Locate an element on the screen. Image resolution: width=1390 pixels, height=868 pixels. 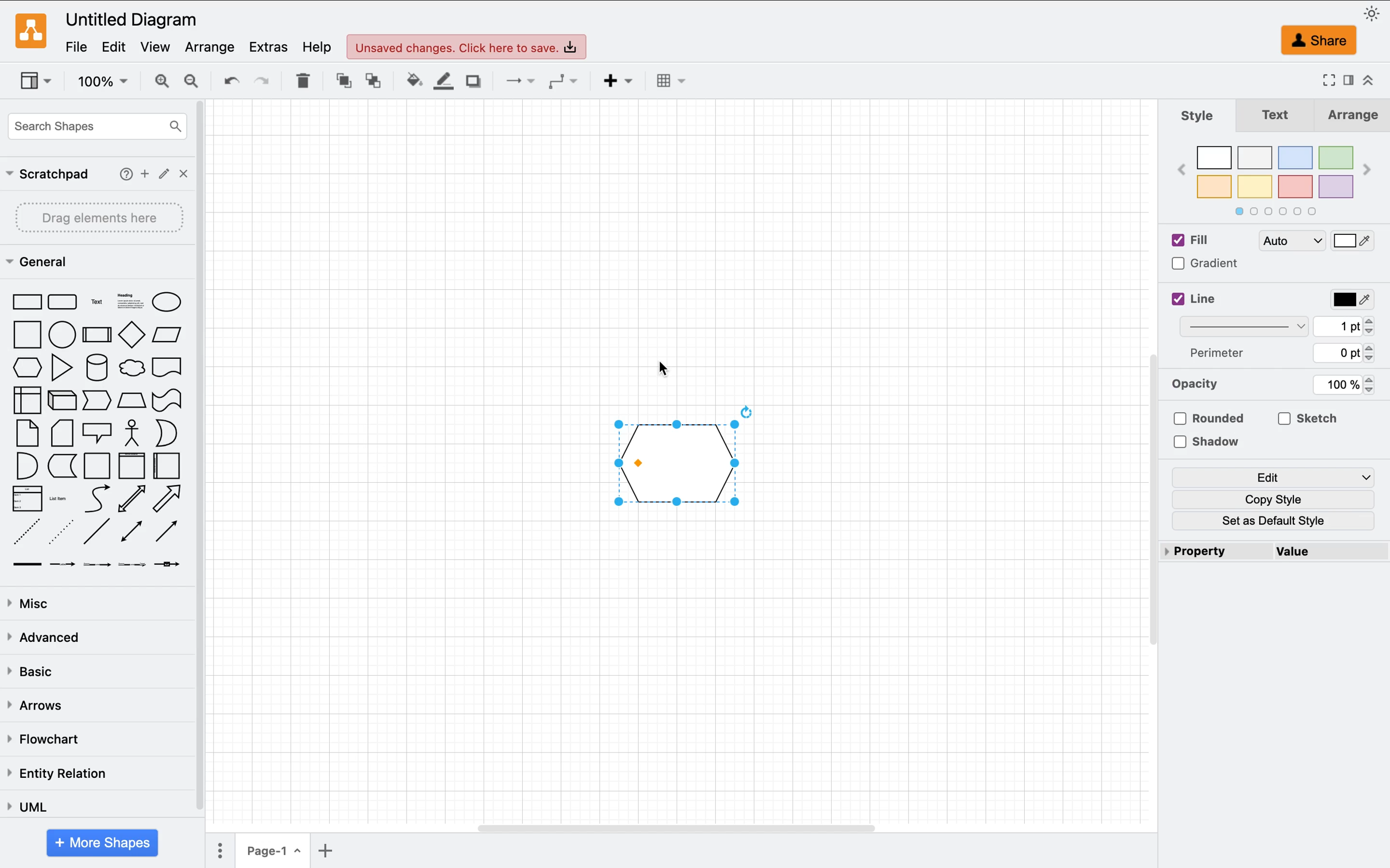
circle is located at coordinates (62, 334).